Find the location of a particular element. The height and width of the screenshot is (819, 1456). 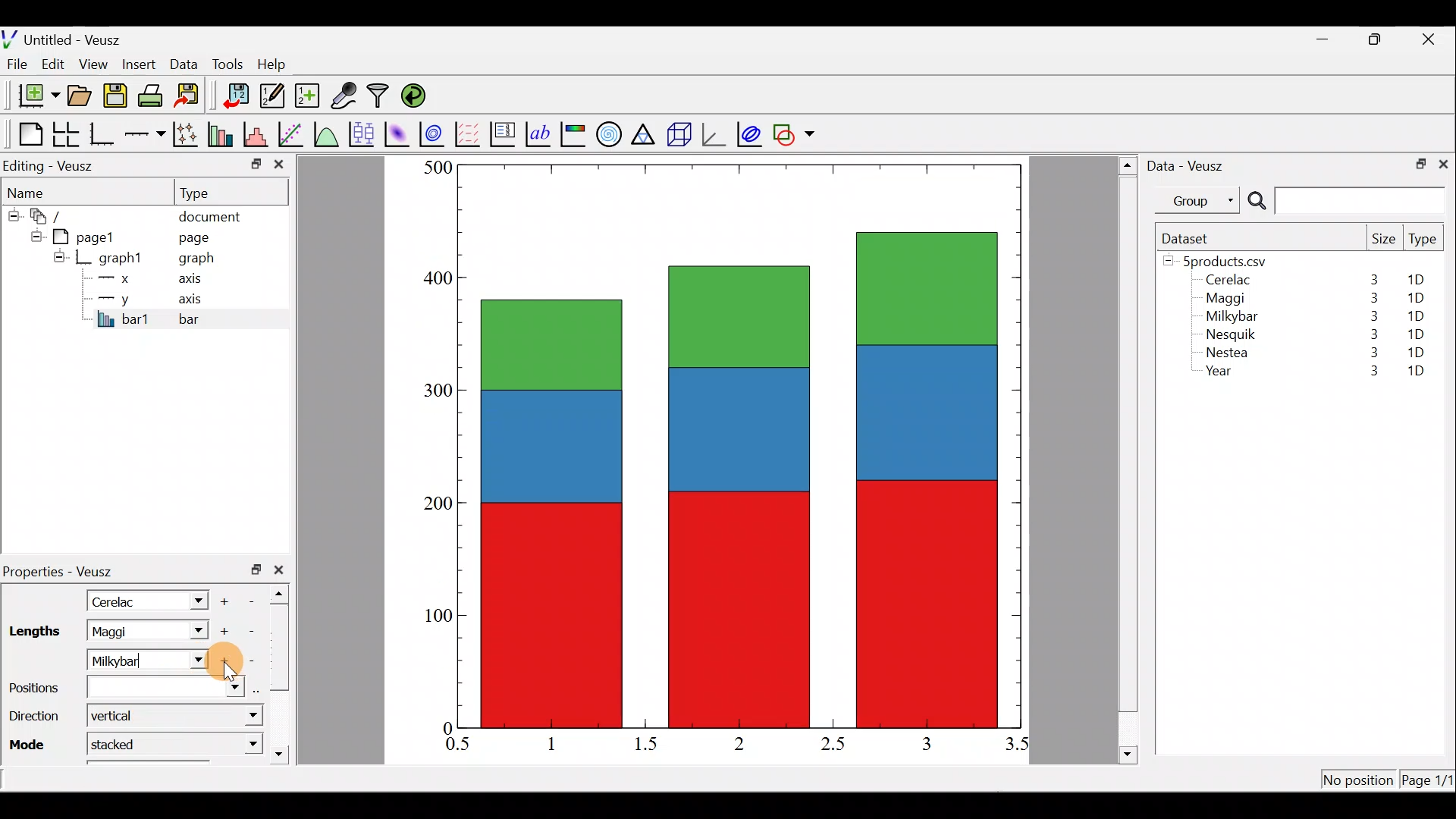

0.5 is located at coordinates (458, 746).